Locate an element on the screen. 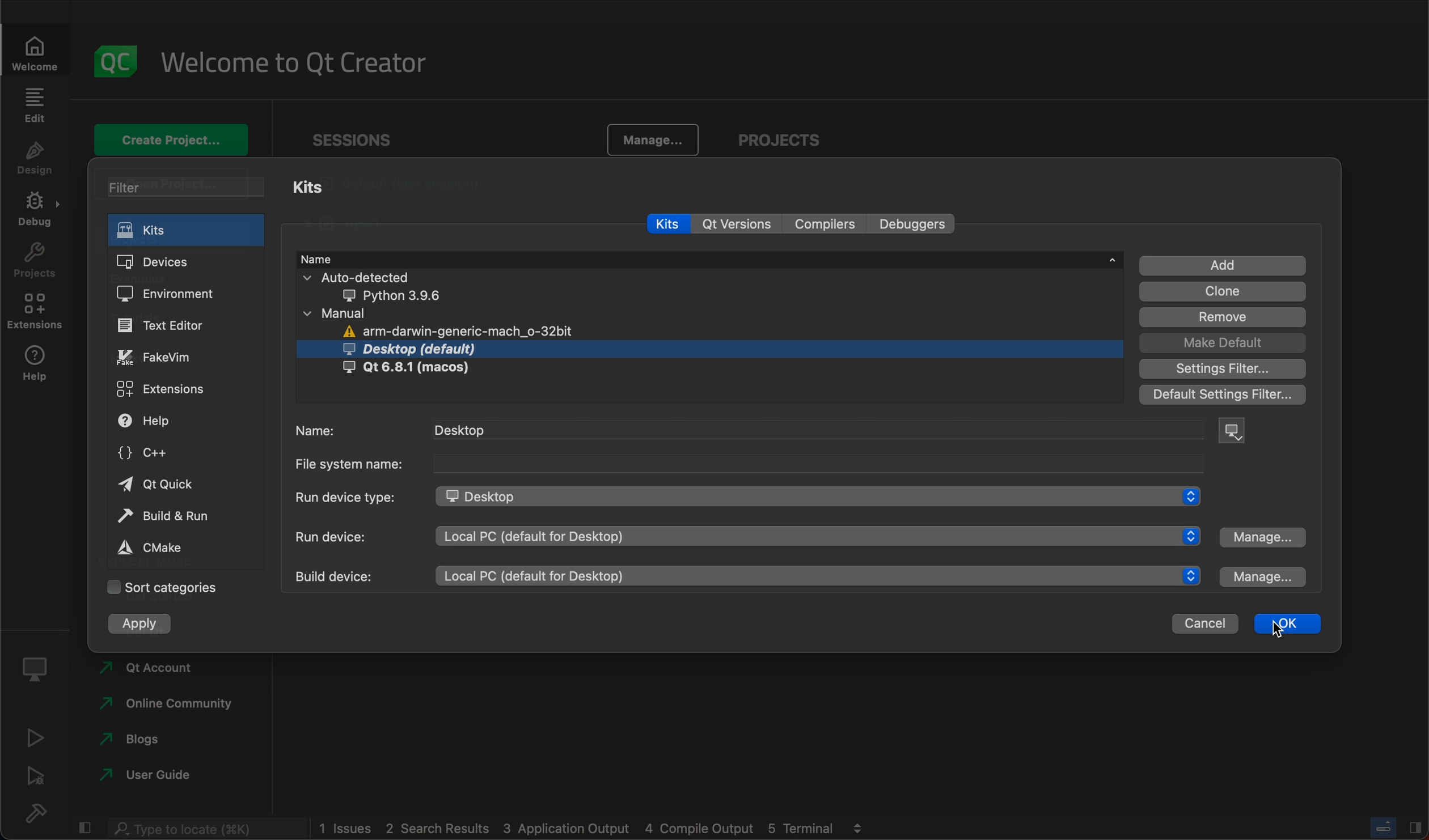 Image resolution: width=1429 pixels, height=840 pixels. Toggle progress bar is located at coordinates (1381, 825).